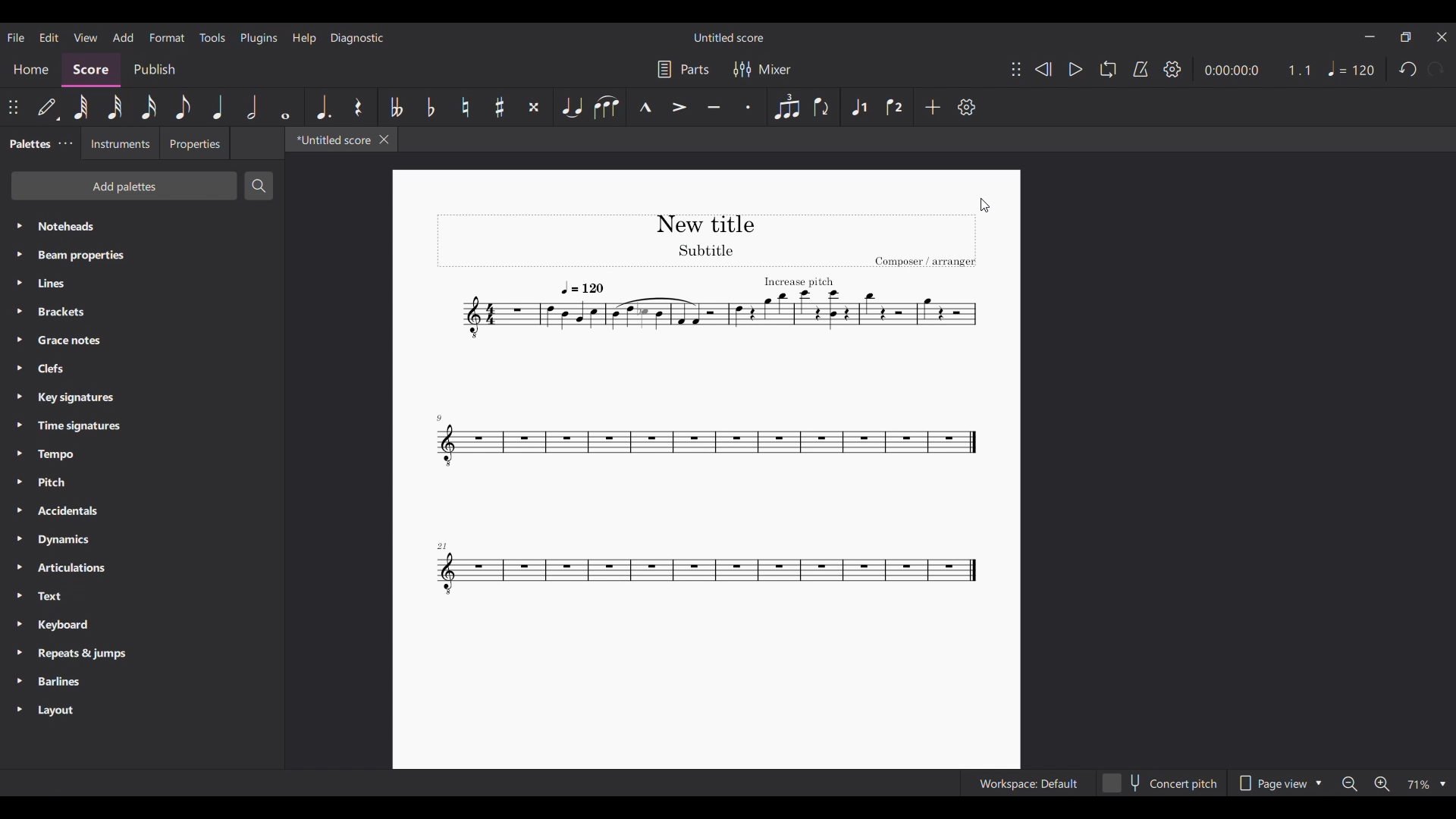 This screenshot has width=1456, height=819. Describe the element at coordinates (143, 568) in the screenshot. I see `Articulations` at that location.